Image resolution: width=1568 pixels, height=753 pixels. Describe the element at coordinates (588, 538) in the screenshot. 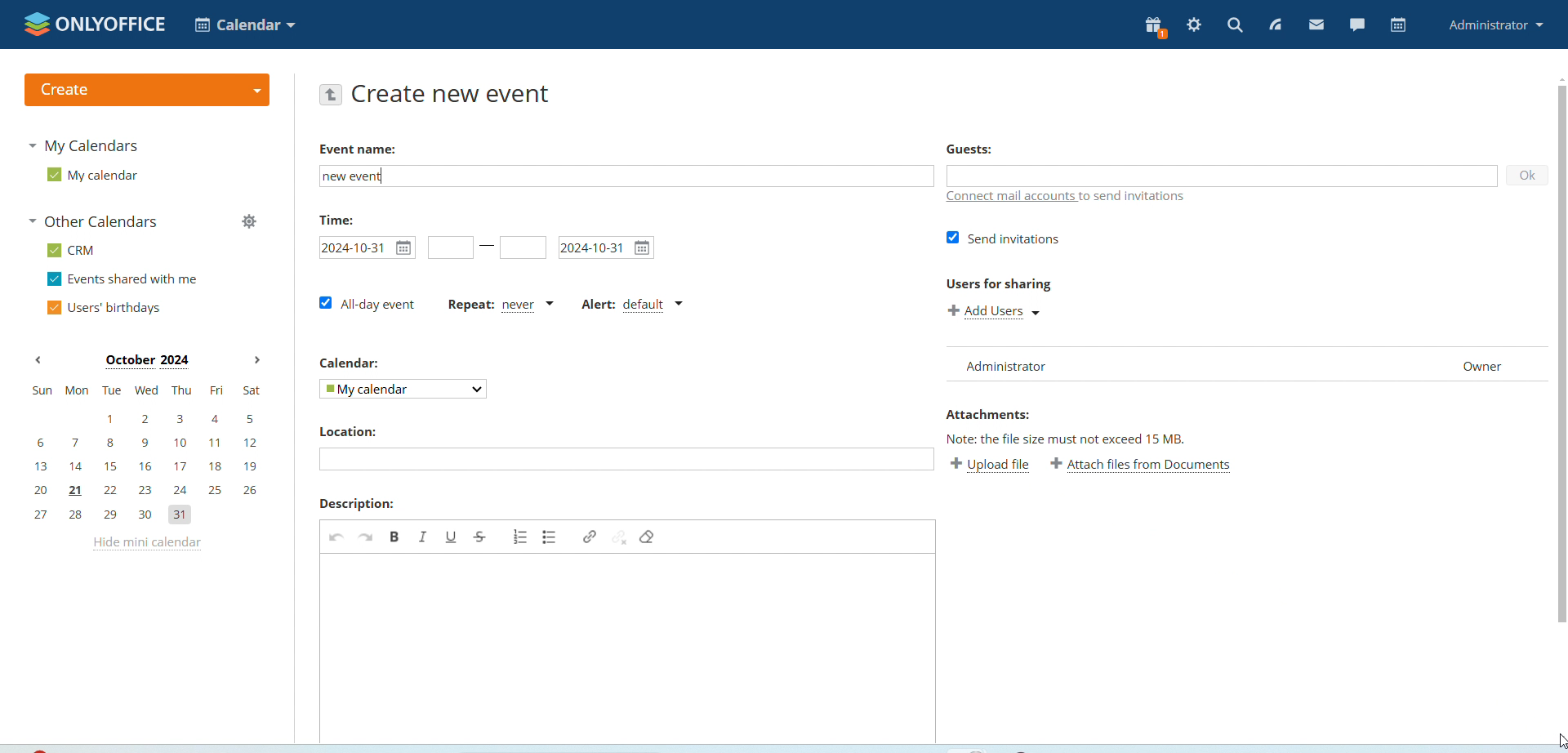

I see `link` at that location.